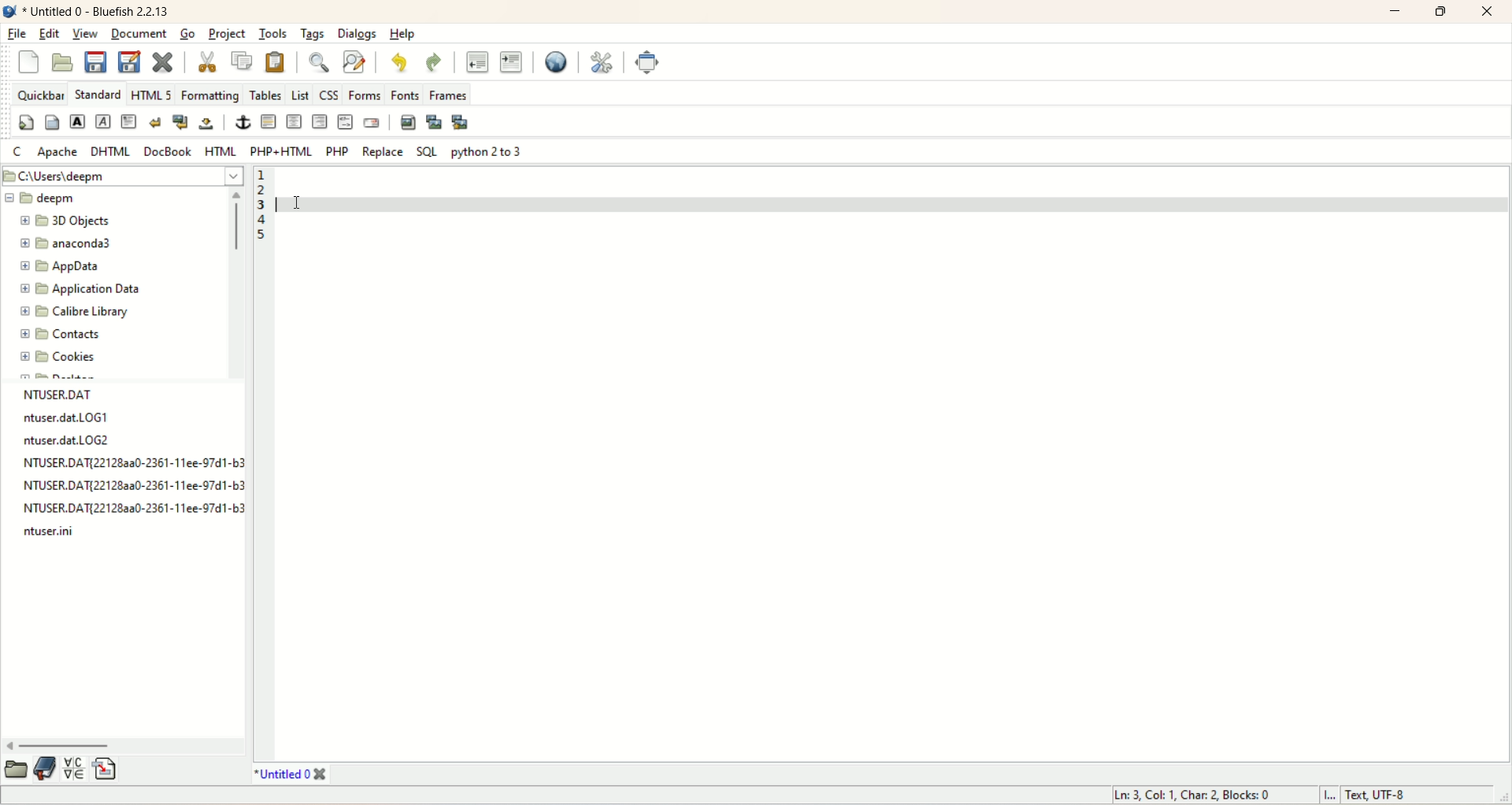 The width and height of the screenshot is (1512, 805). What do you see at coordinates (473, 63) in the screenshot?
I see `unindent` at bounding box center [473, 63].